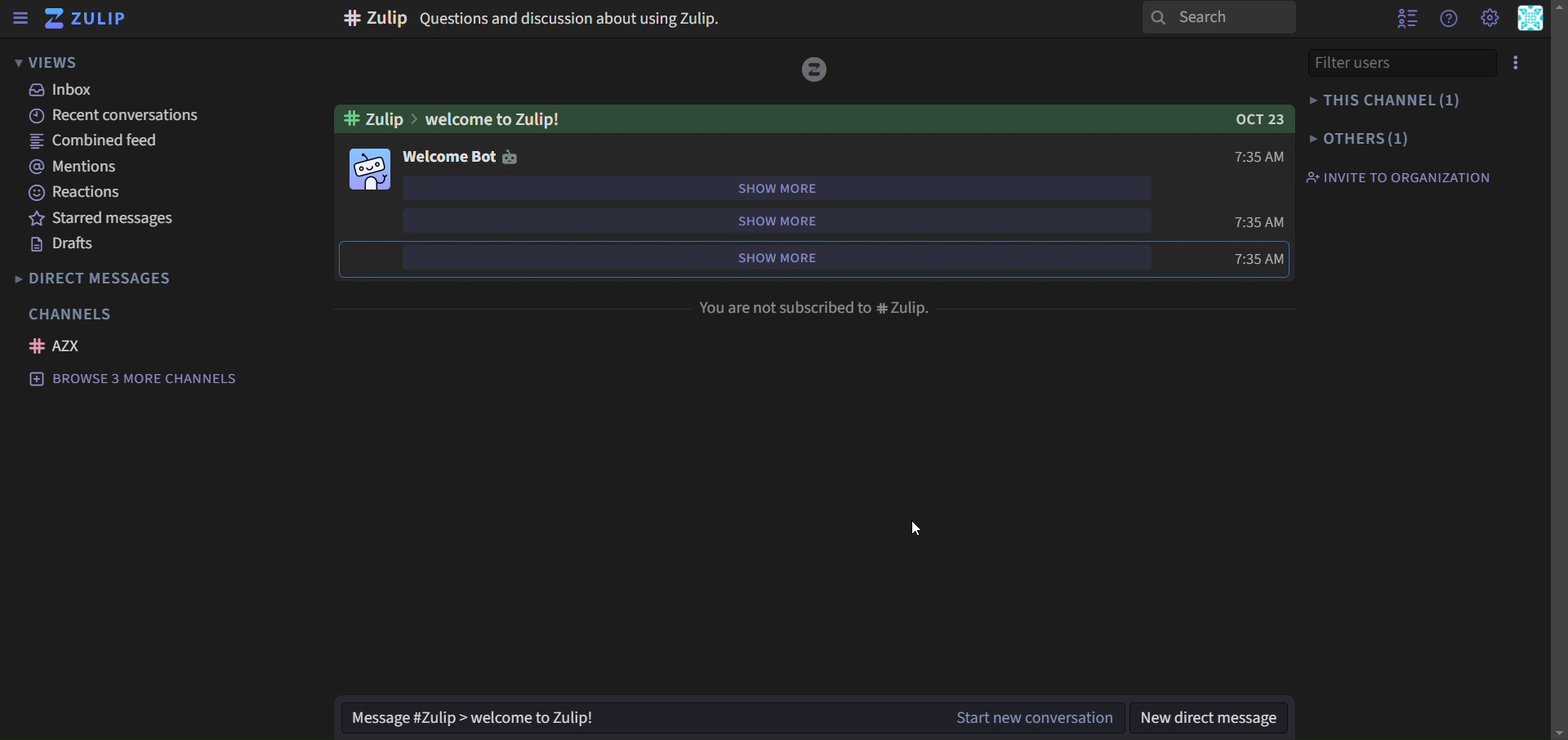 This screenshot has height=740, width=1568. Describe the element at coordinates (62, 64) in the screenshot. I see `views` at that location.